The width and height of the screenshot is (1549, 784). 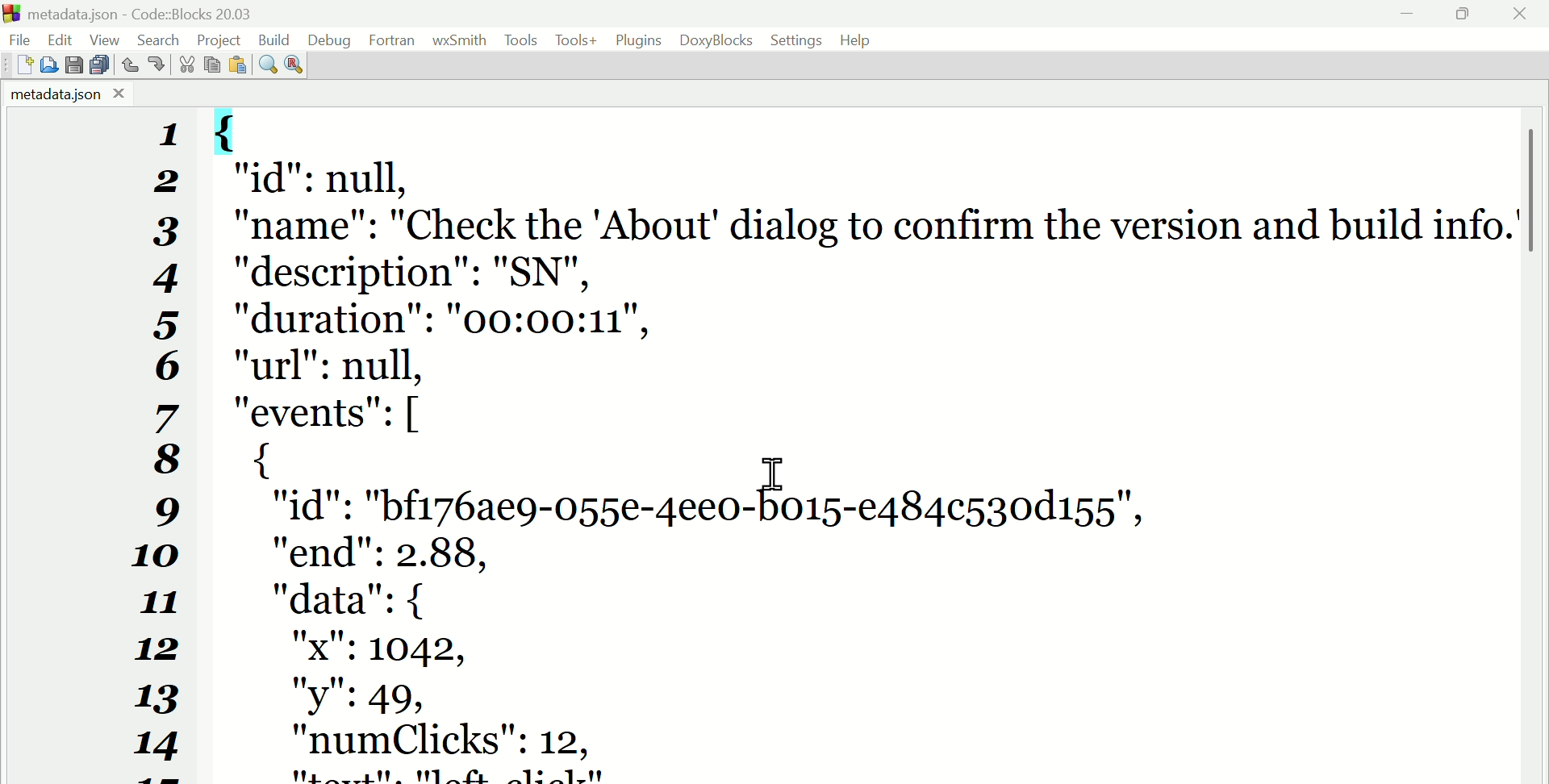 I want to click on {
"id": null,
"name": "Check the 'About' dialog to confirm the version and build info.’
"description": "SN",
"duration": "00:00:11",
"url": null,
"events": [
{
"id": "bf176ae9-055e-4ee0-b015-e484¢530d155",
"end": 2.88,
"data": {
"x": 1042,
"y": 49,
"numClicks": 12,, so click(x=859, y=432).